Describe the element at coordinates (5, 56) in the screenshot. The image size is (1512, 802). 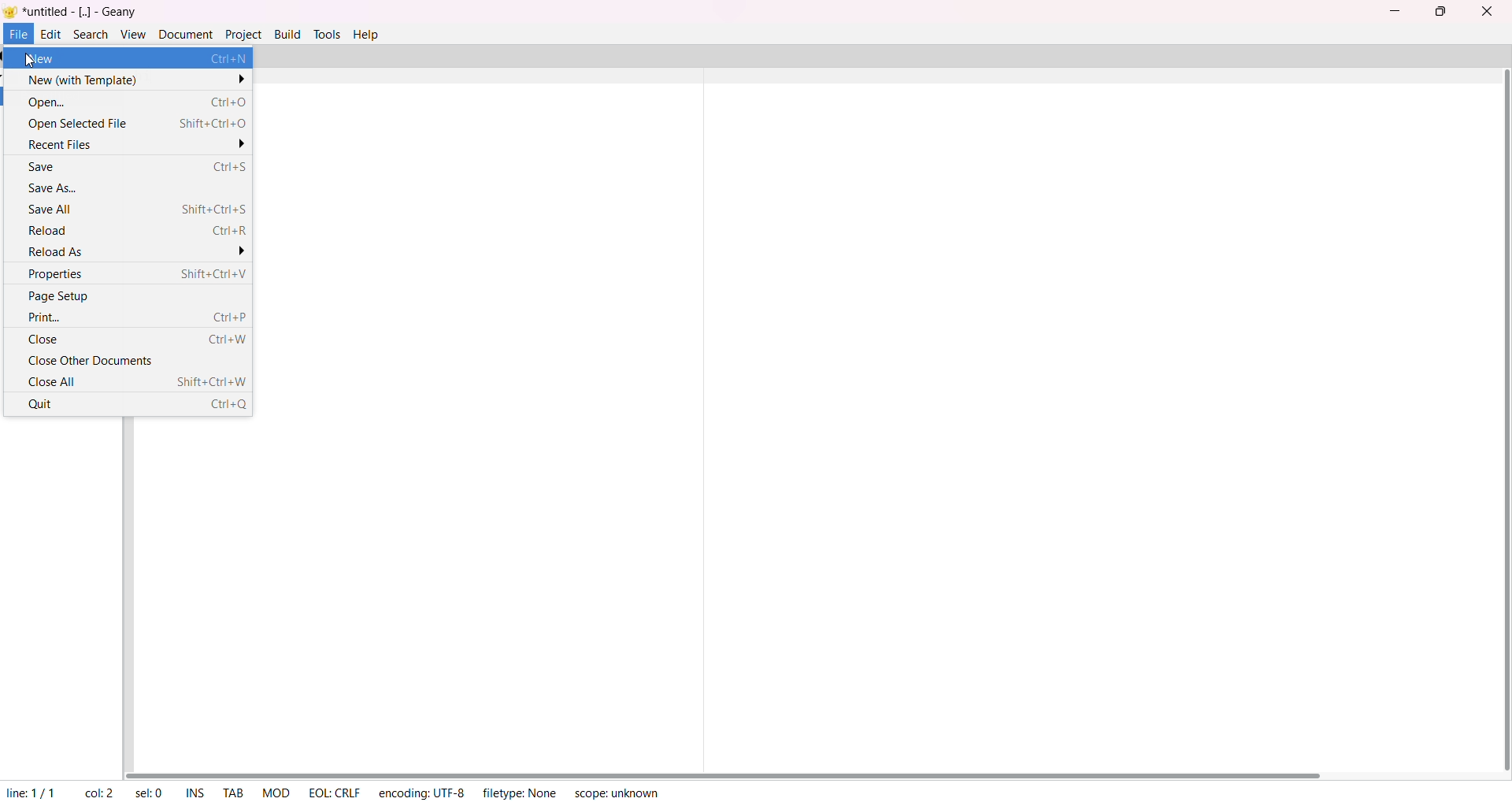
I see `back` at that location.